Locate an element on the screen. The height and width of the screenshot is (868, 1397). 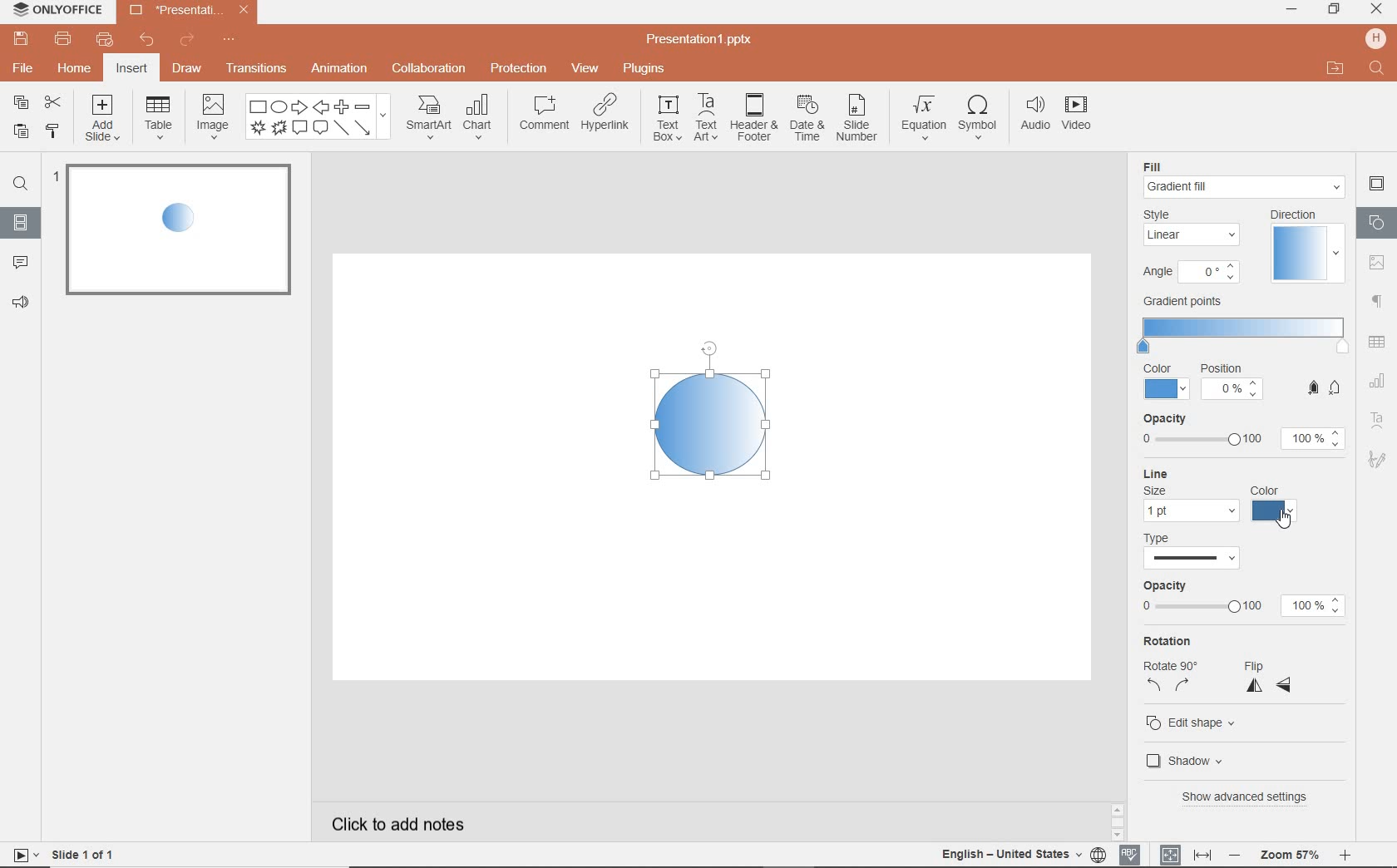
feedback & support is located at coordinates (19, 304).